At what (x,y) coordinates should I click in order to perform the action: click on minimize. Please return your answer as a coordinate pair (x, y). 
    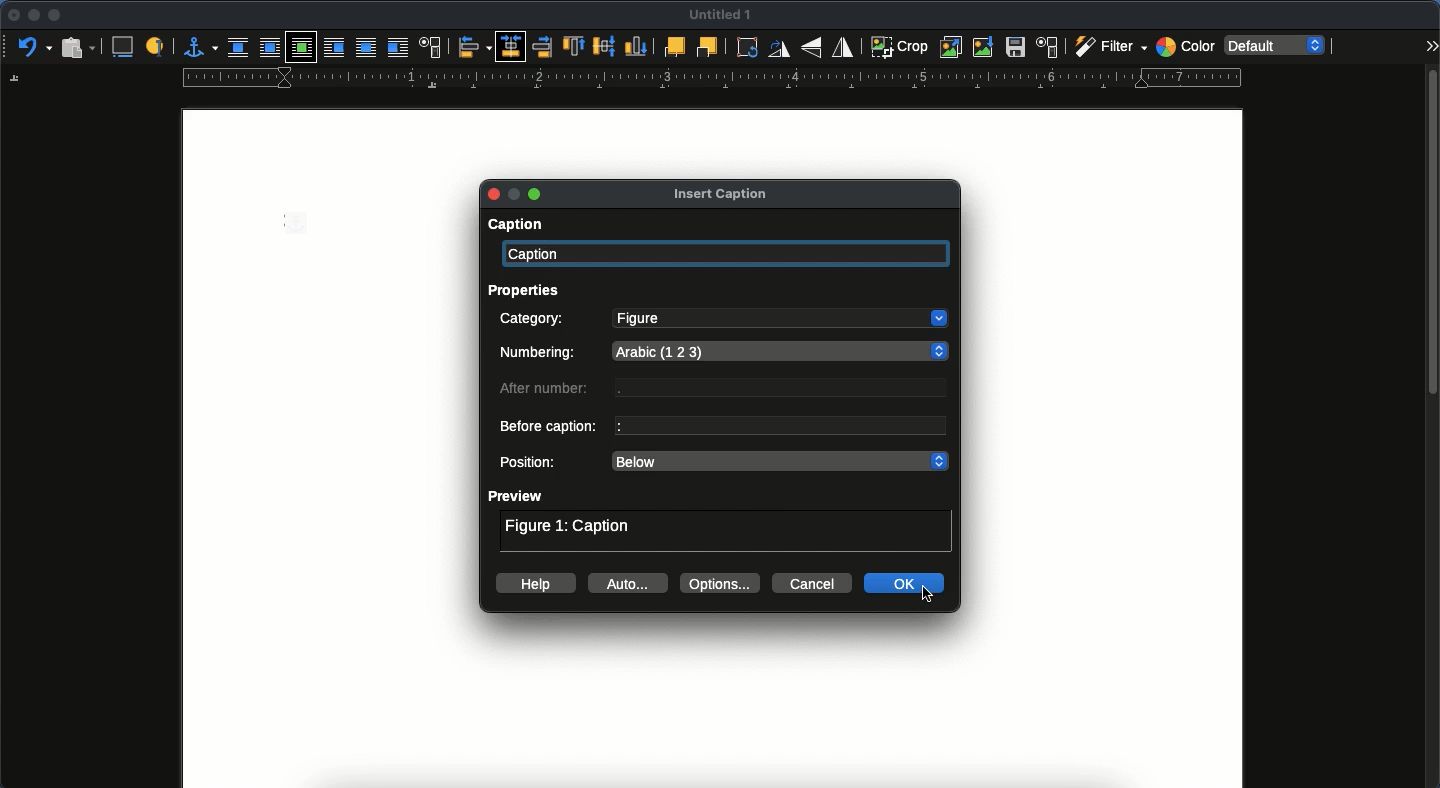
    Looking at the image, I should click on (31, 15).